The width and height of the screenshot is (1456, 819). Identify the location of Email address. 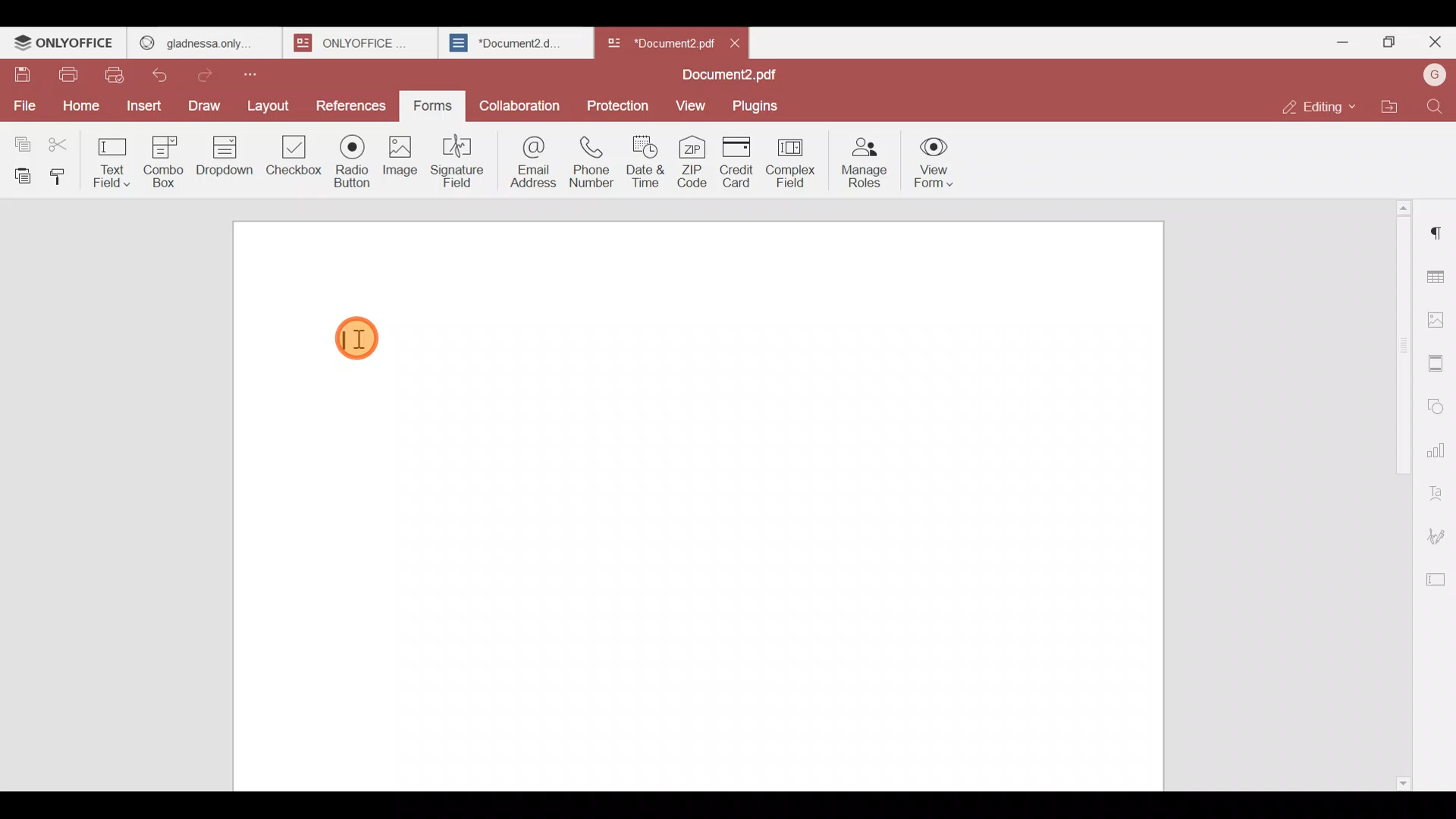
(531, 160).